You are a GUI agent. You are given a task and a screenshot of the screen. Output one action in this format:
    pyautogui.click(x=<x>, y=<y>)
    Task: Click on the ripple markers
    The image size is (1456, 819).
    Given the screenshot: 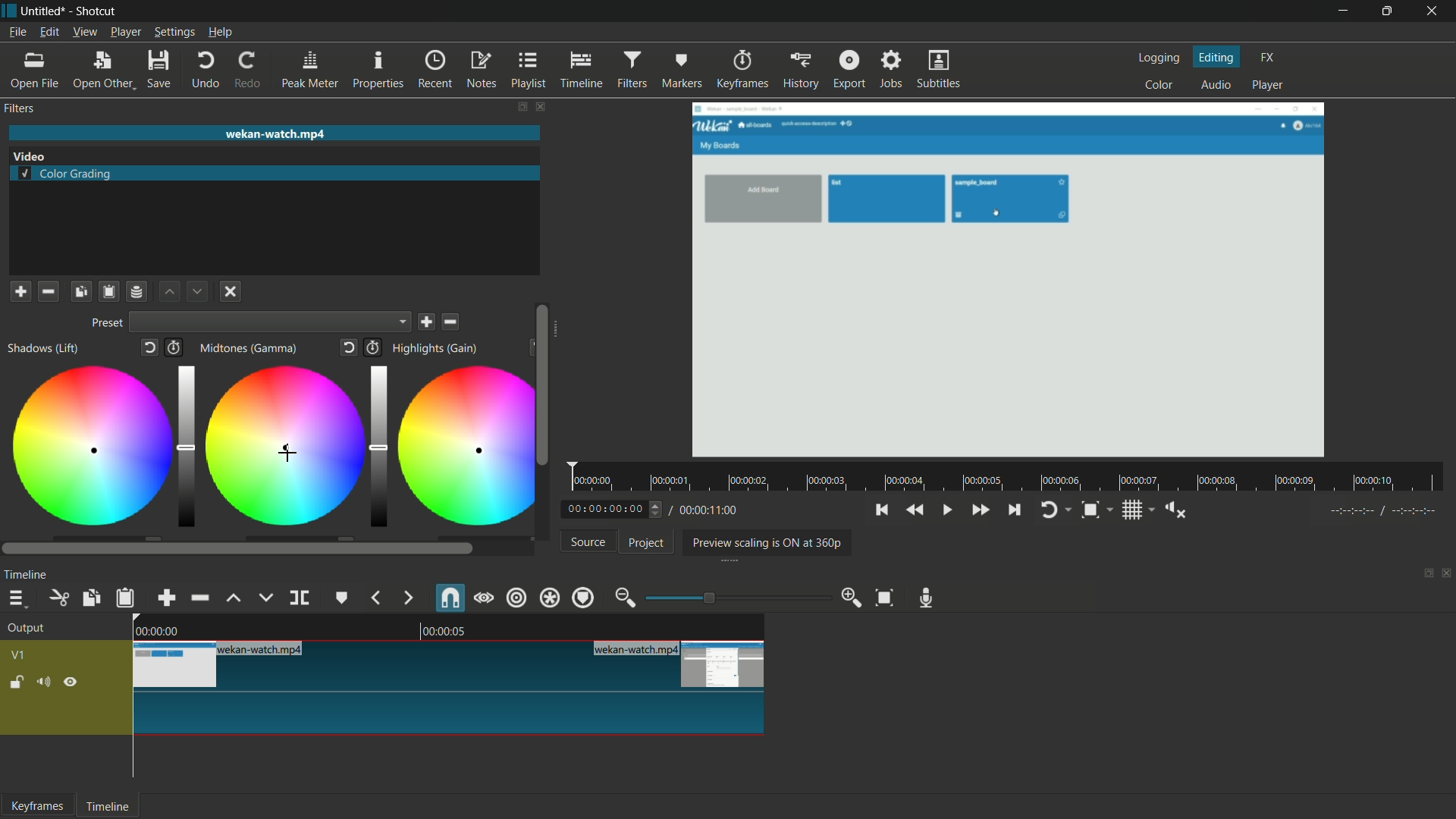 What is the action you would take?
    pyautogui.click(x=584, y=598)
    